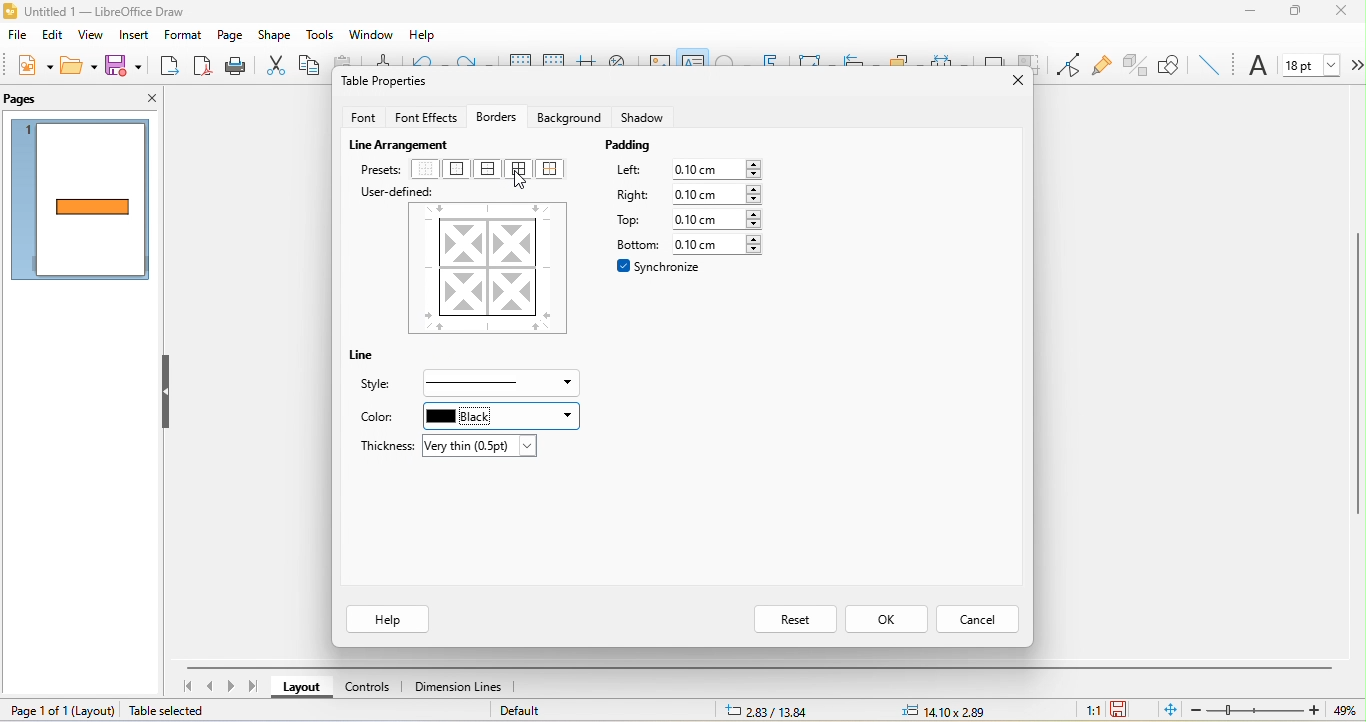 The width and height of the screenshot is (1366, 722). What do you see at coordinates (1209, 64) in the screenshot?
I see `insert line` at bounding box center [1209, 64].